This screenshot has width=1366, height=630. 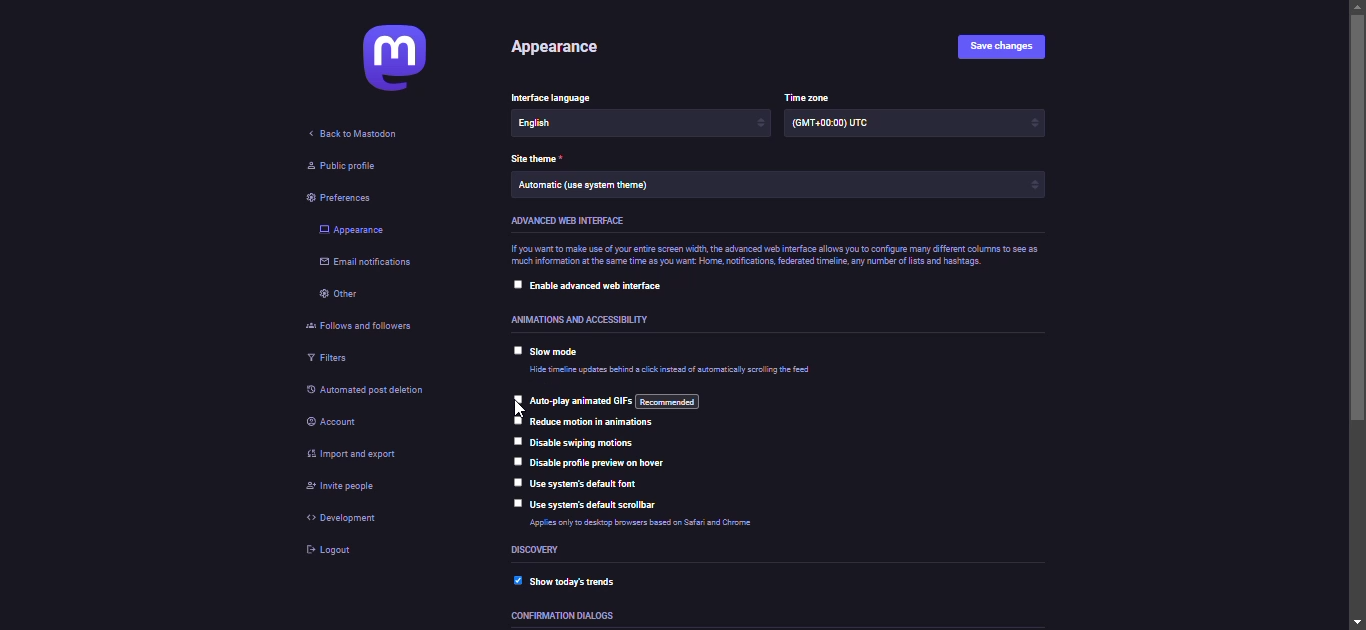 What do you see at coordinates (342, 517) in the screenshot?
I see `development` at bounding box center [342, 517].